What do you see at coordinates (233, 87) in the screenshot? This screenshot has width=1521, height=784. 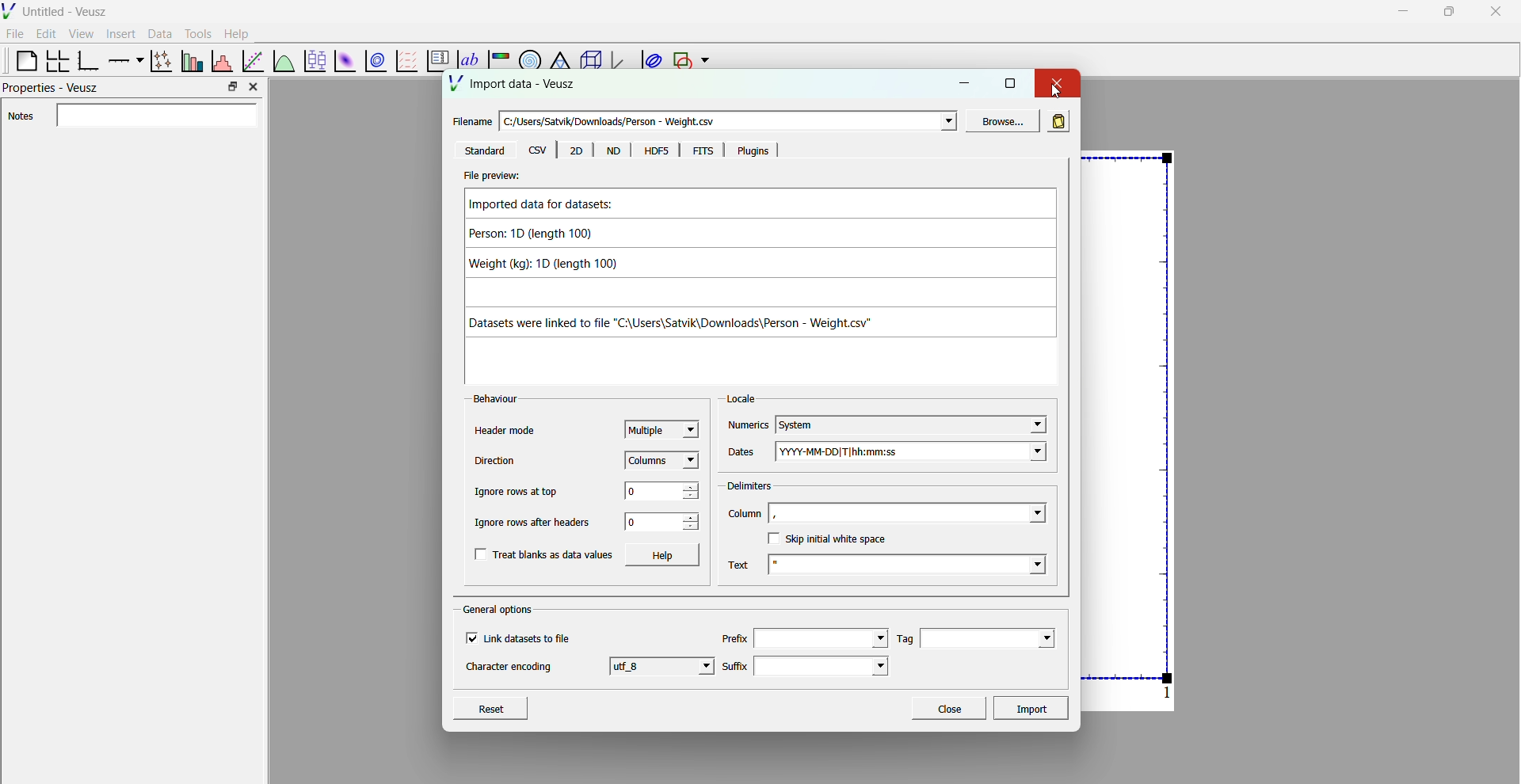 I see `maximize property bar` at bounding box center [233, 87].